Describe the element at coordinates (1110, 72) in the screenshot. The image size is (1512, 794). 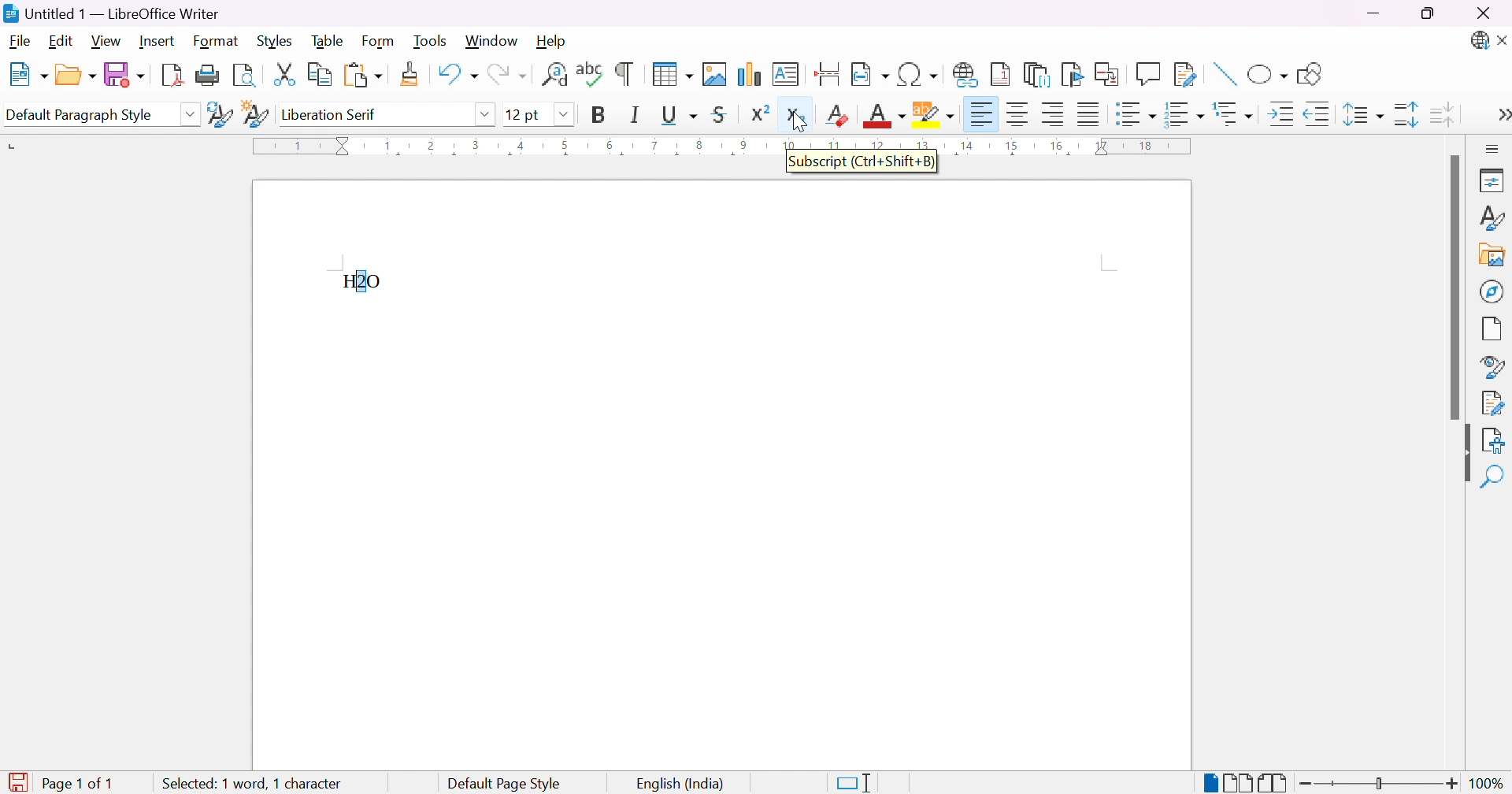
I see `Insert cross-reference` at that location.